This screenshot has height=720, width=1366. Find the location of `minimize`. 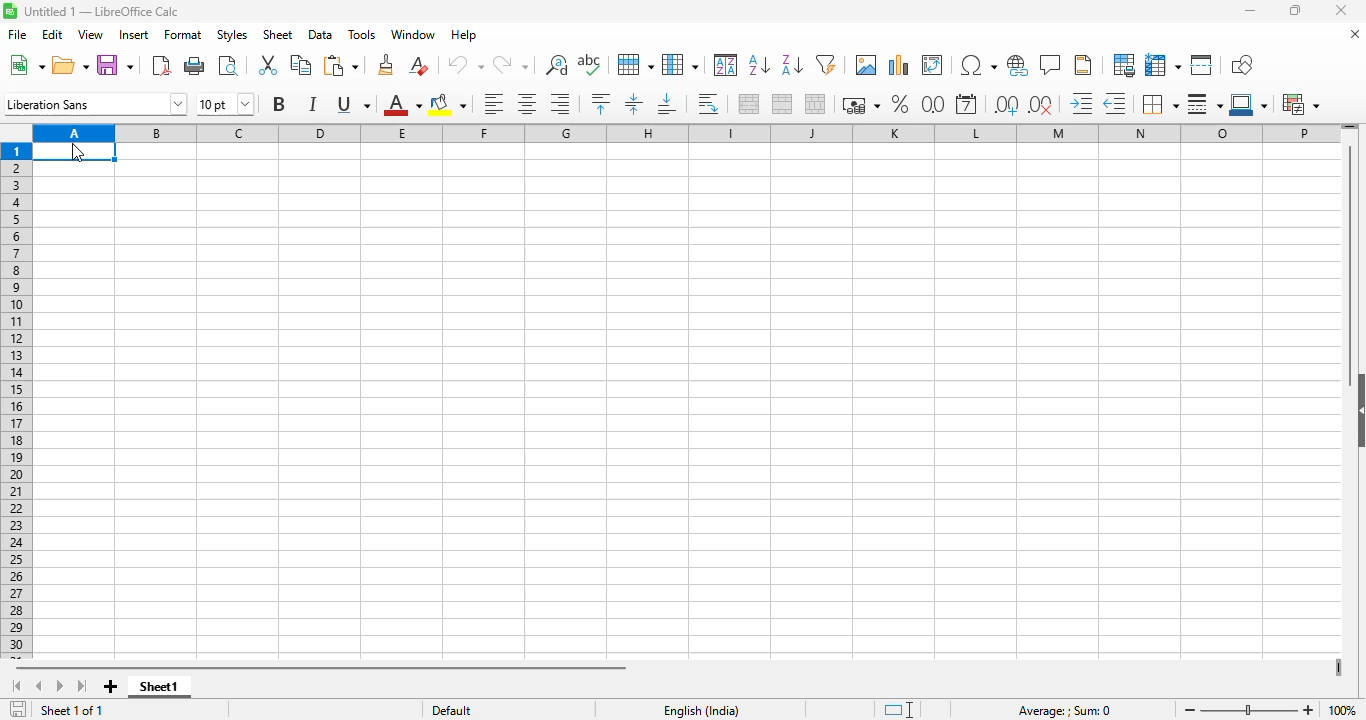

minimize is located at coordinates (1249, 10).